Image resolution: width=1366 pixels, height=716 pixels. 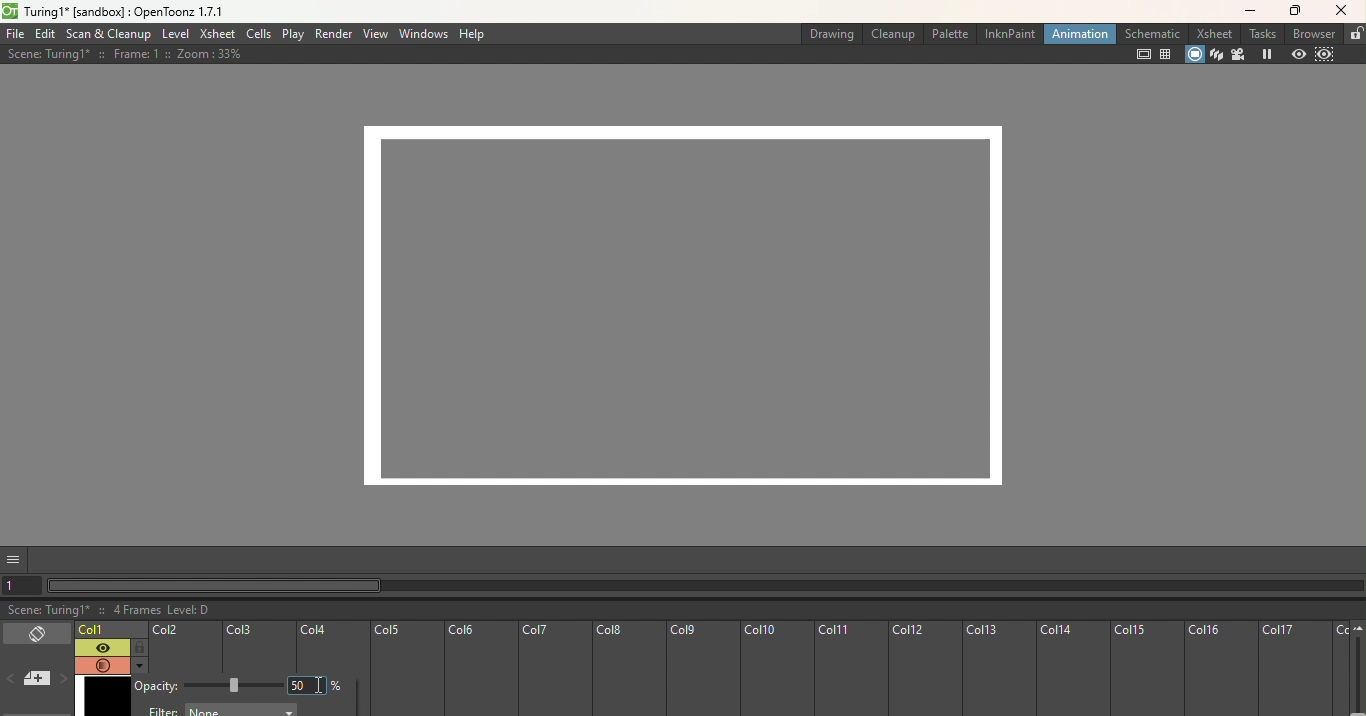 What do you see at coordinates (553, 670) in the screenshot?
I see `Col7` at bounding box center [553, 670].